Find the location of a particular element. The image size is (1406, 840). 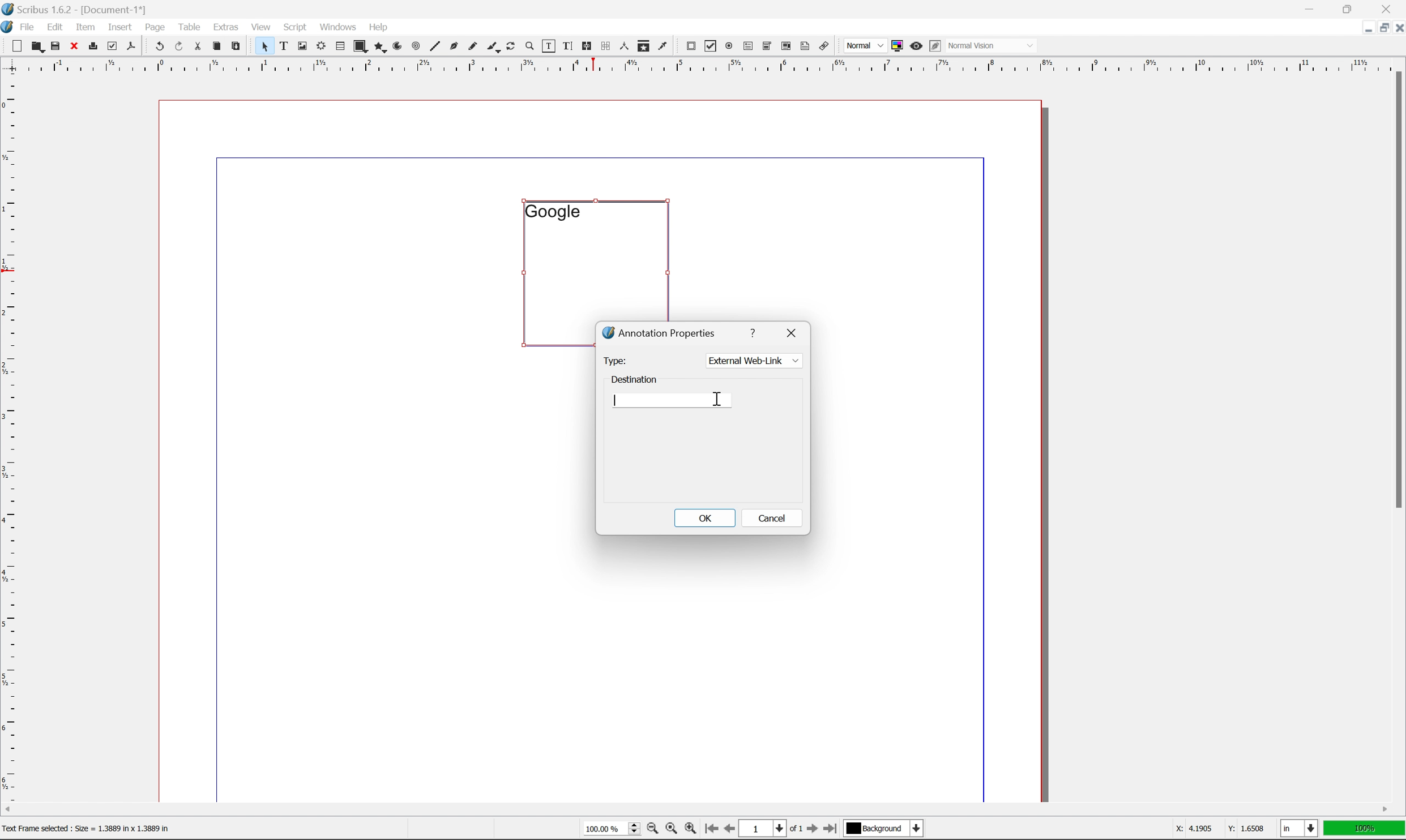

link annotation is located at coordinates (824, 47).